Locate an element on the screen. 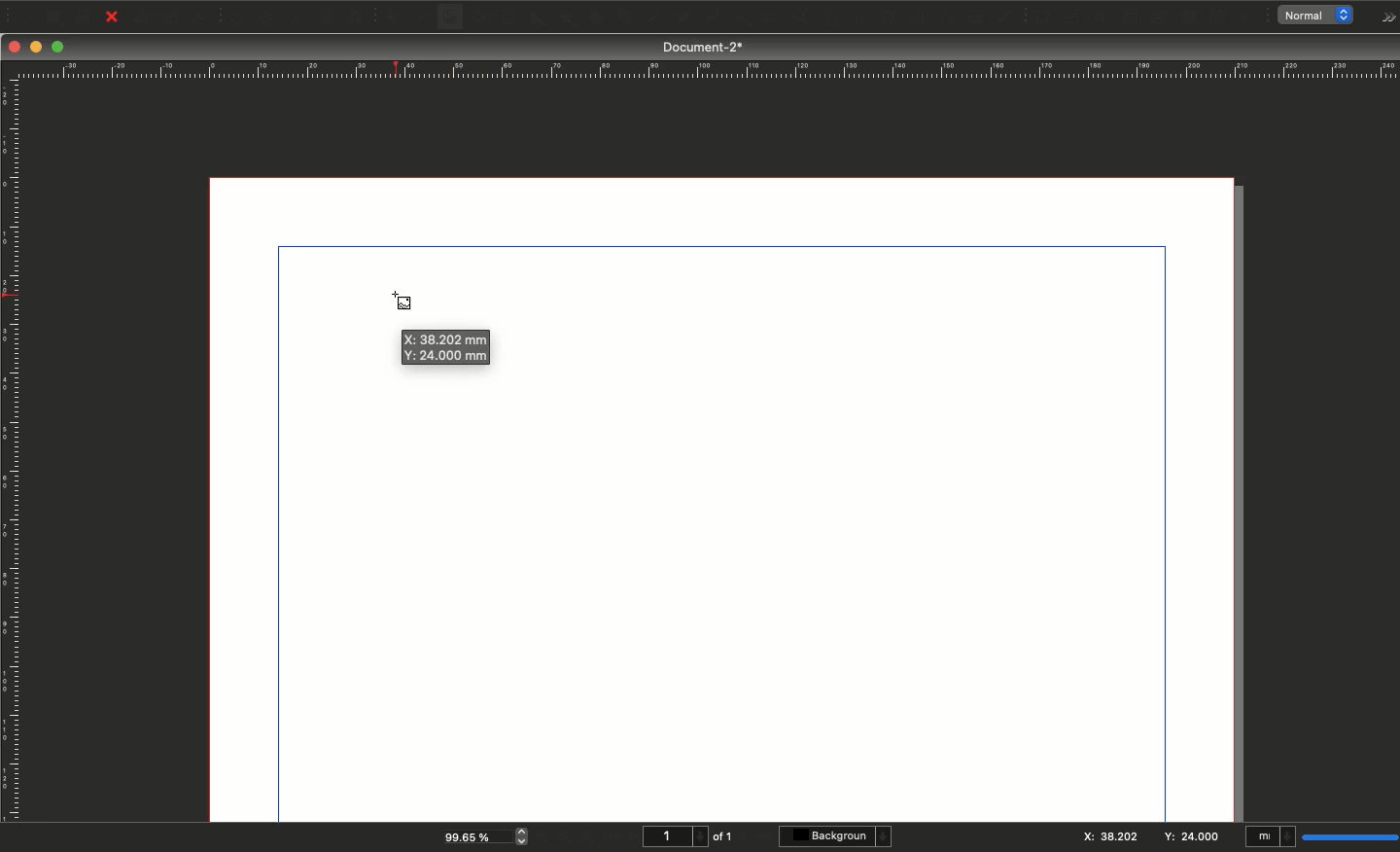  normal is located at coordinates (1320, 16).